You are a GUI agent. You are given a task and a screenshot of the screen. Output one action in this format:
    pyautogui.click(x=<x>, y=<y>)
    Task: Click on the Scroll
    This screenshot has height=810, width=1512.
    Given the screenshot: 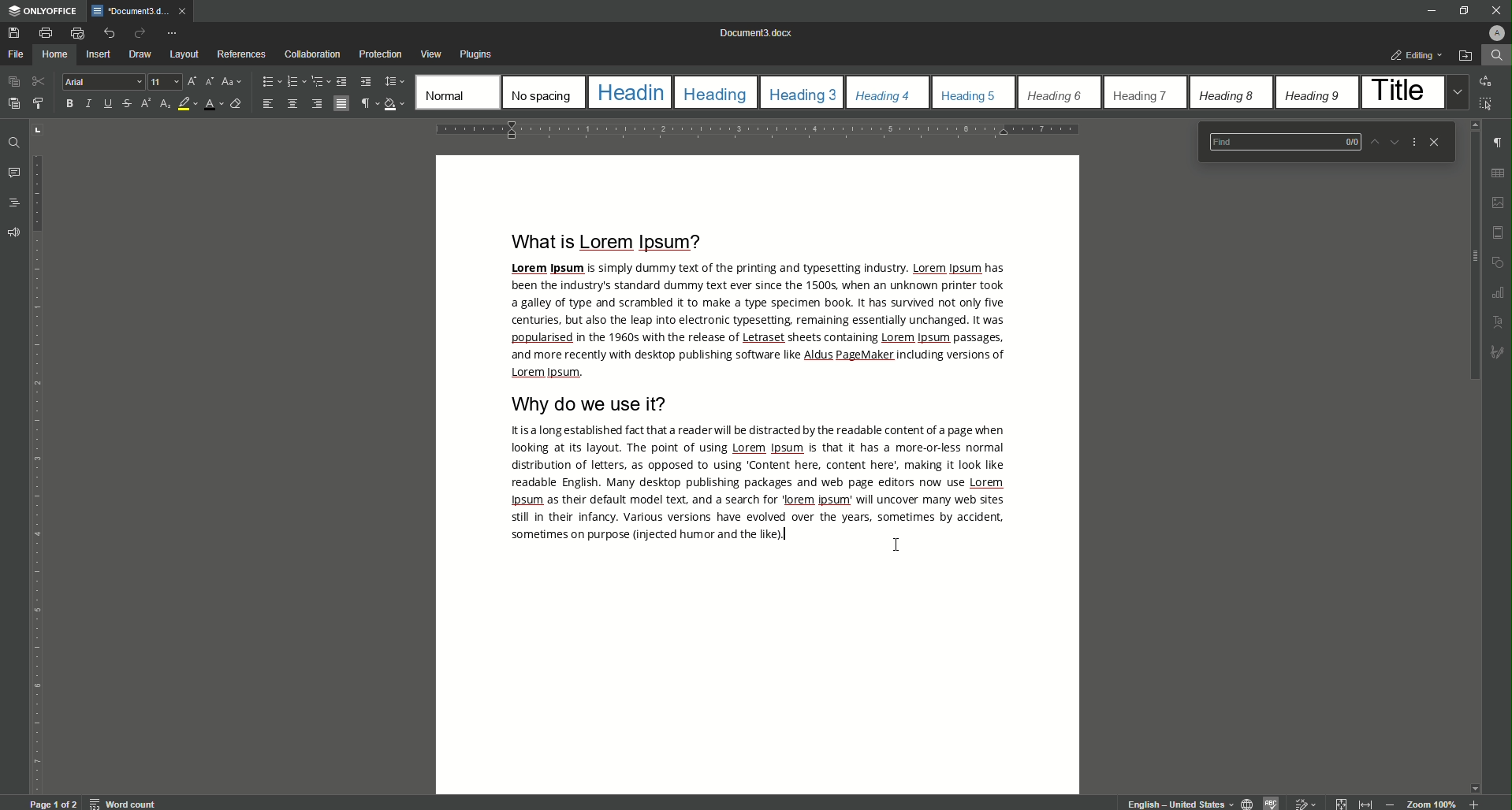 What is the action you would take?
    pyautogui.click(x=1473, y=250)
    